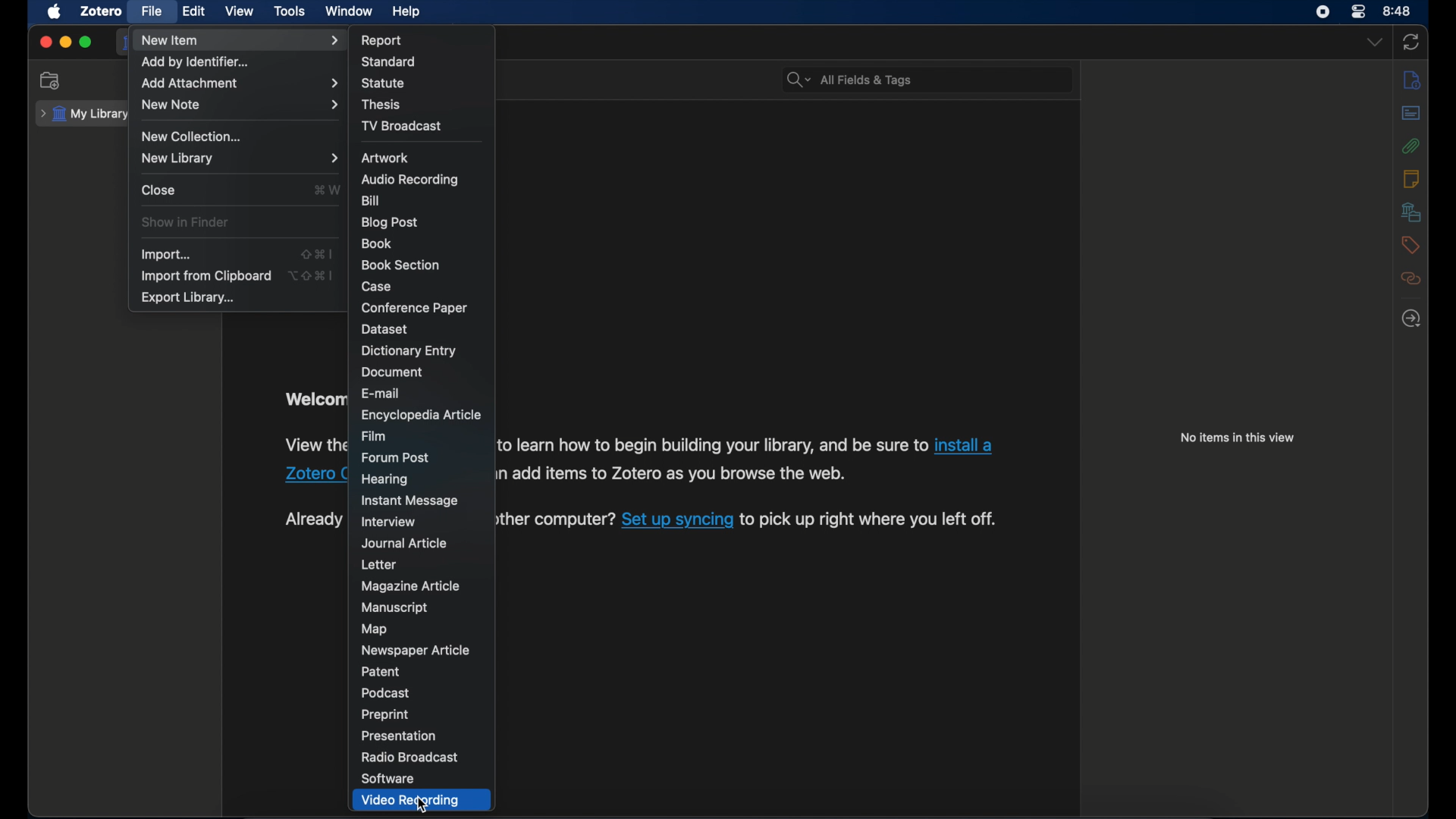 The height and width of the screenshot is (819, 1456). I want to click on book section, so click(401, 265).